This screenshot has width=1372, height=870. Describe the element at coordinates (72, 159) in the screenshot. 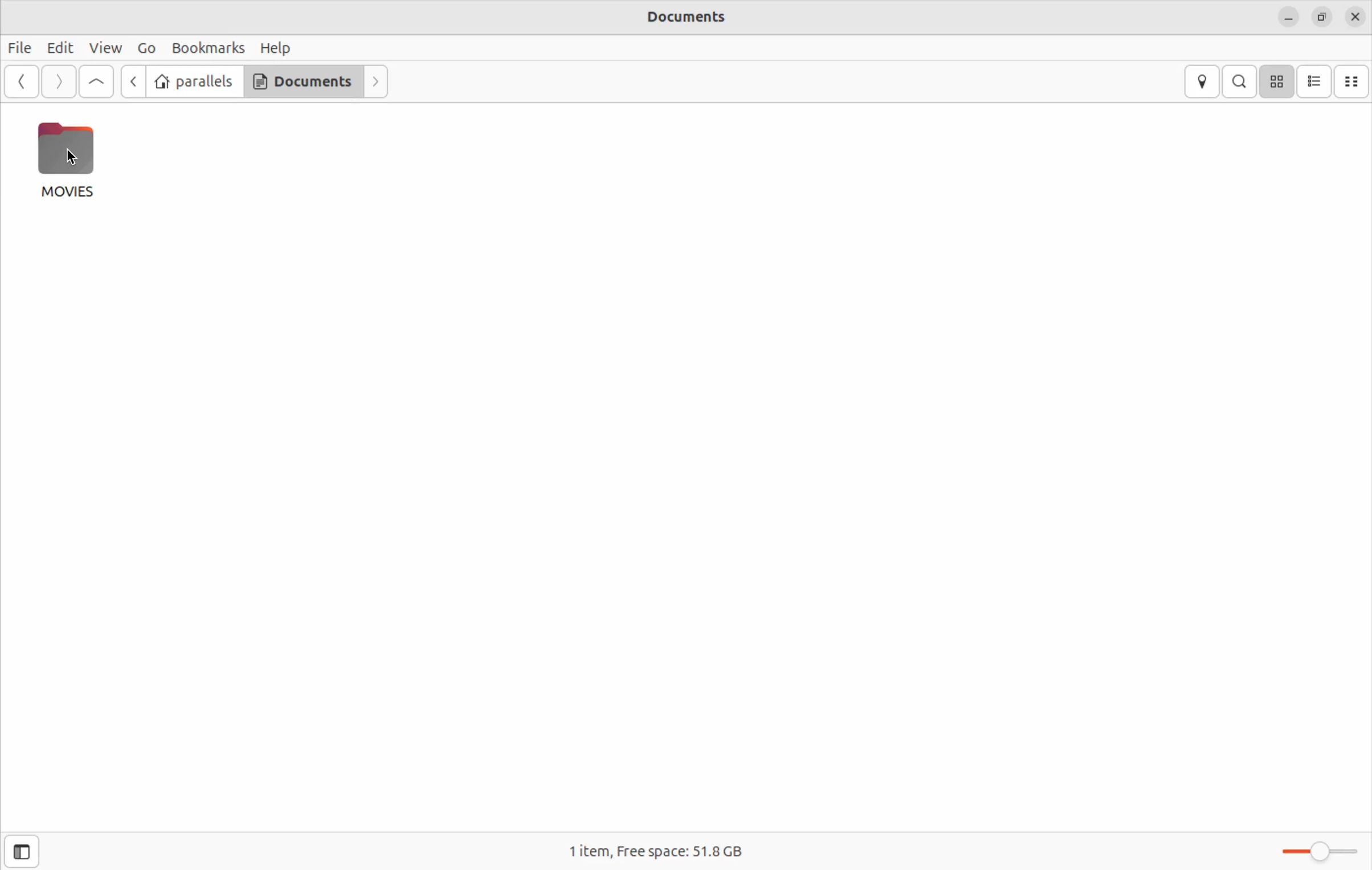

I see `cursor` at that location.